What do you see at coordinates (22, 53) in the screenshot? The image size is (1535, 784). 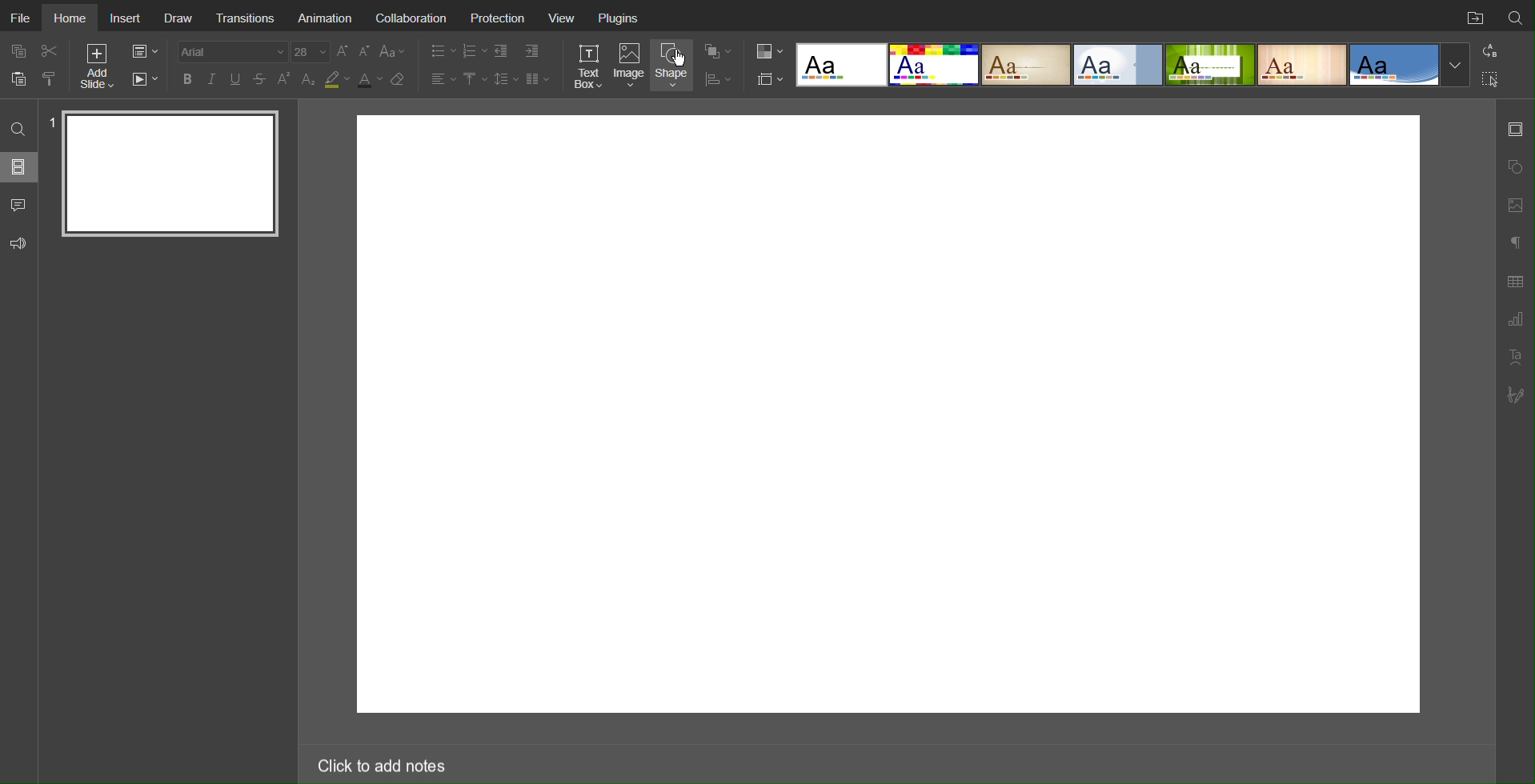 I see `copy` at bounding box center [22, 53].